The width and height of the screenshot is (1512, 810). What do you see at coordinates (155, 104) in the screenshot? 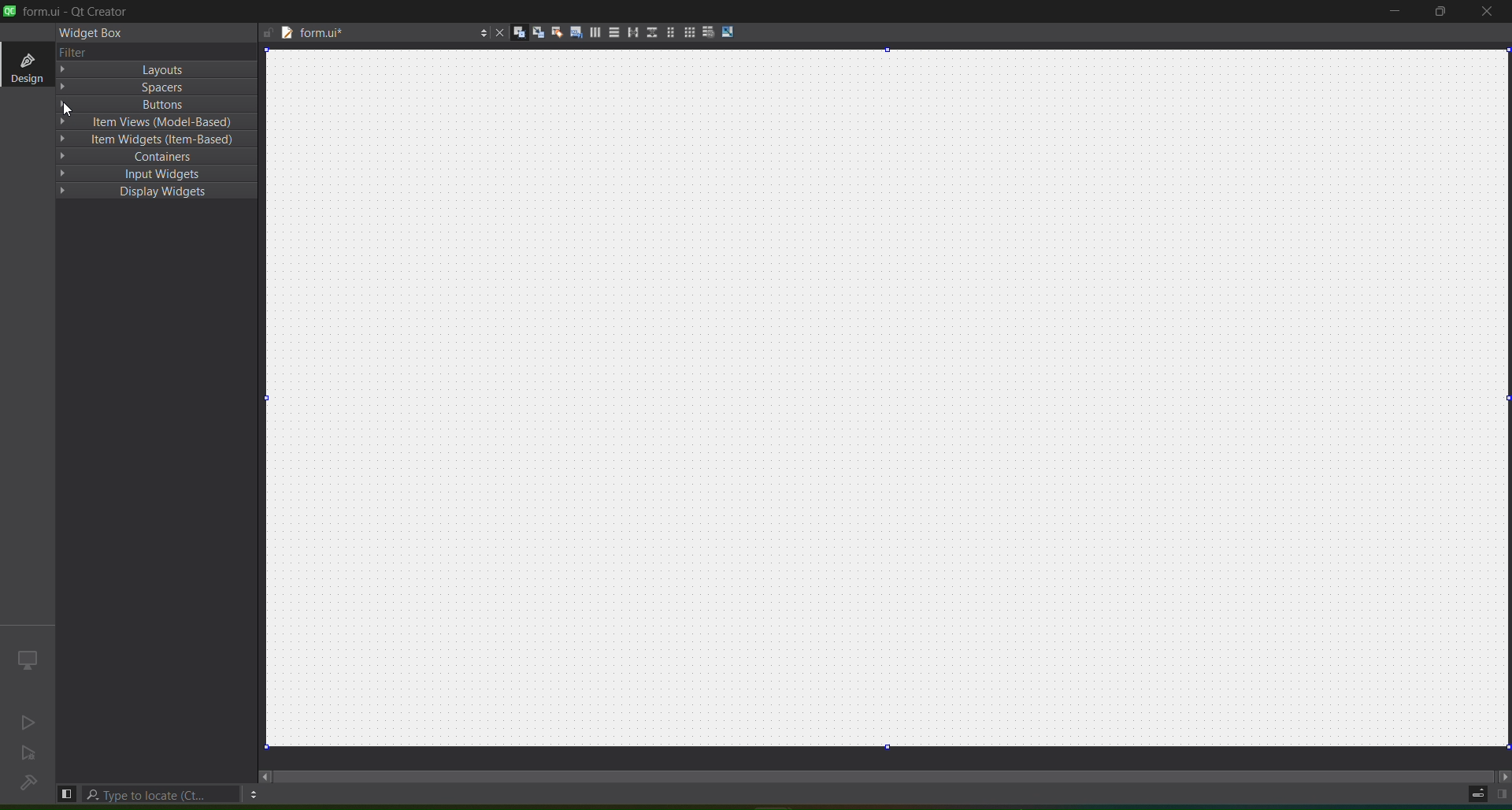
I see `Buttons` at bounding box center [155, 104].